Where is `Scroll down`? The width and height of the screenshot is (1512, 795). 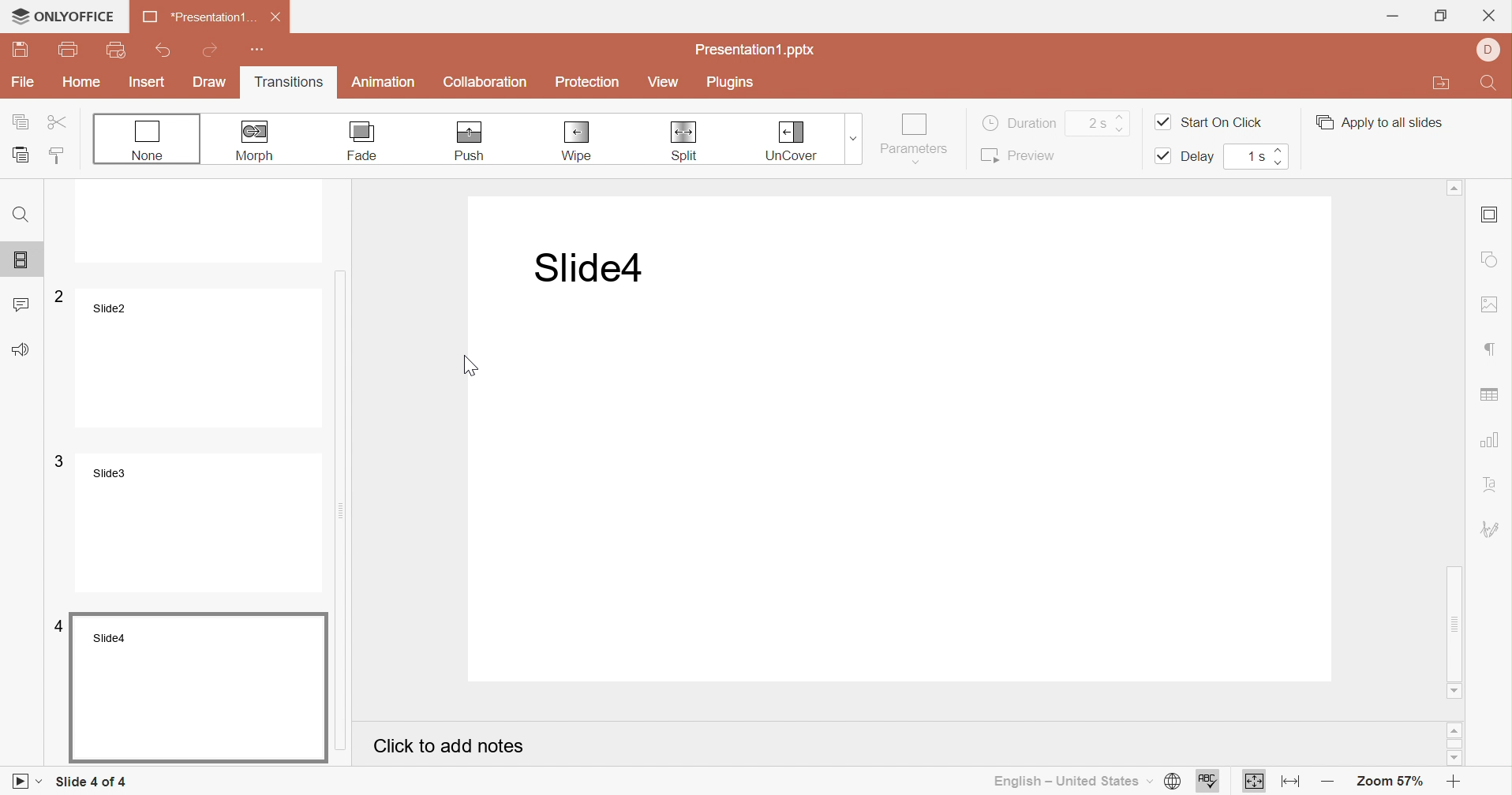
Scroll down is located at coordinates (1455, 689).